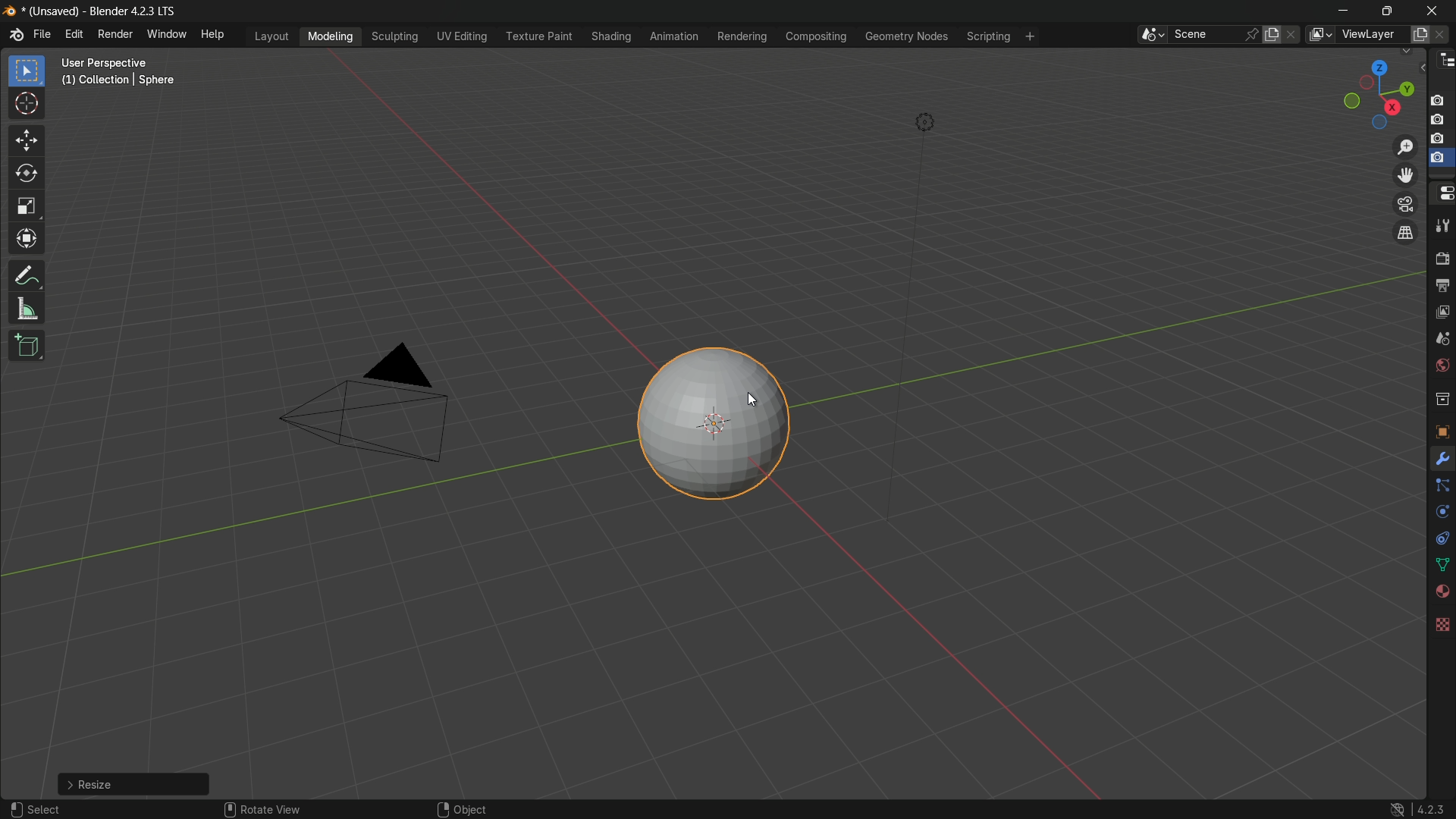  What do you see at coordinates (741, 401) in the screenshot?
I see `cursor` at bounding box center [741, 401].